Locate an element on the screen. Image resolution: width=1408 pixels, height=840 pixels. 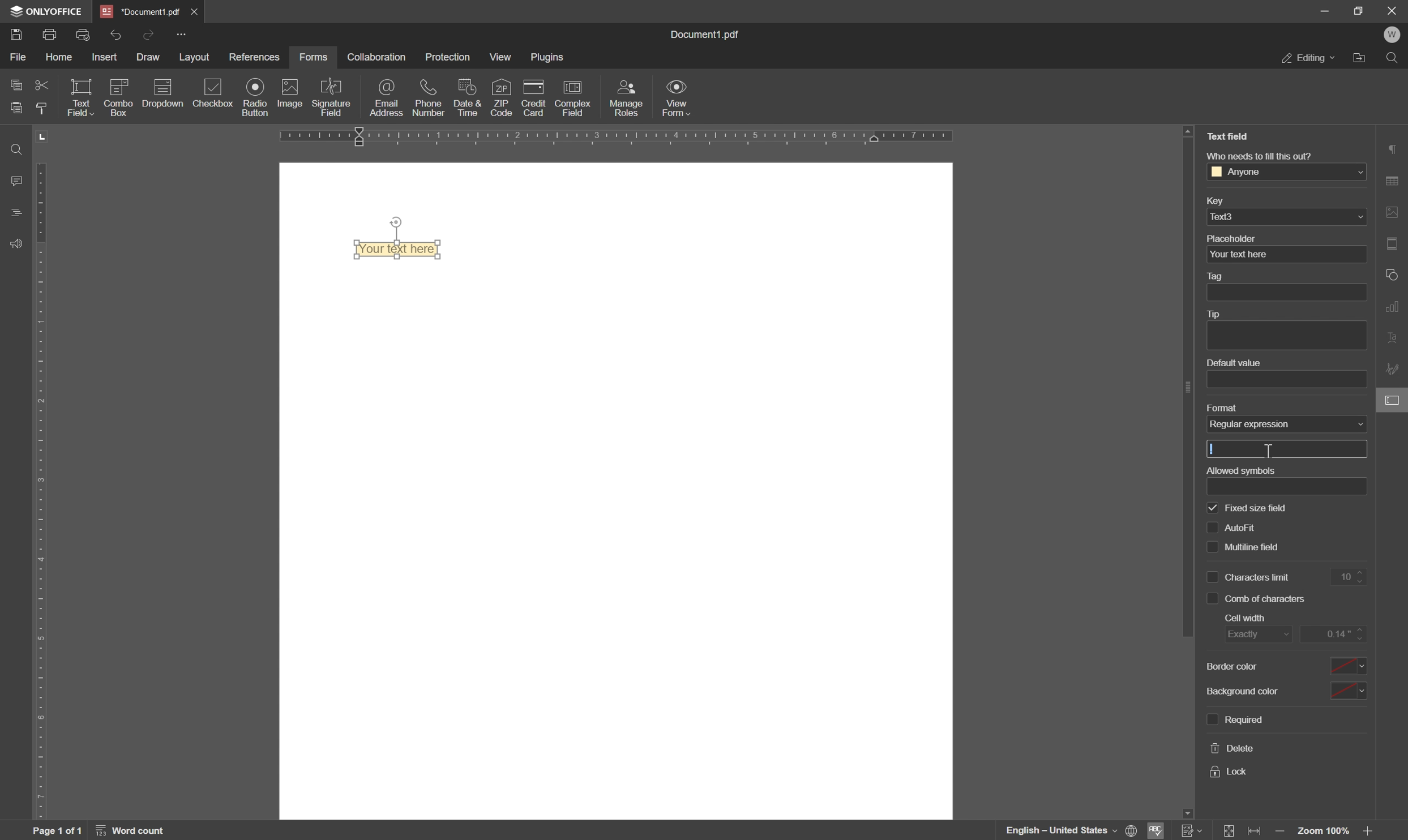
headings is located at coordinates (13, 213).